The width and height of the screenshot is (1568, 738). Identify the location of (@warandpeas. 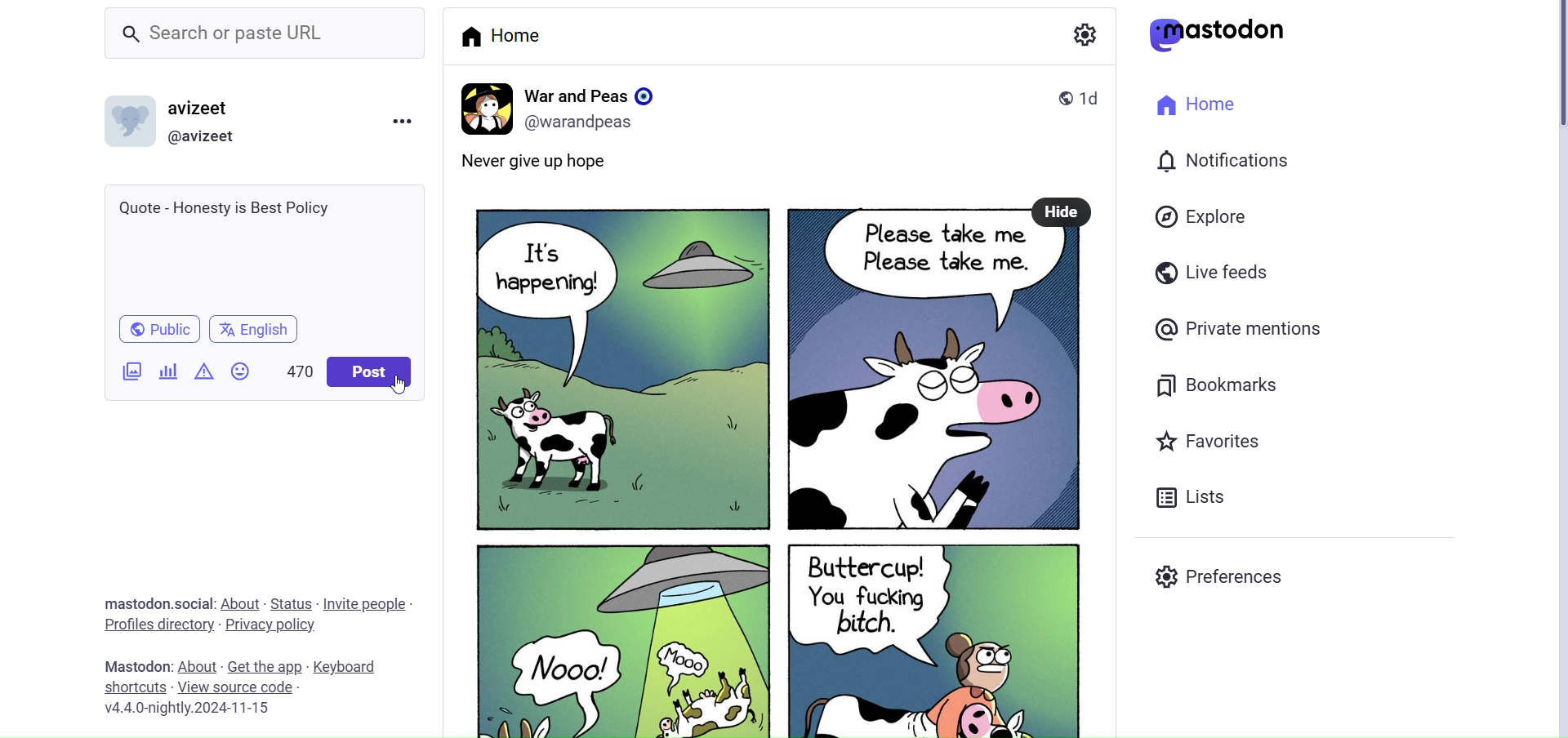
(585, 122).